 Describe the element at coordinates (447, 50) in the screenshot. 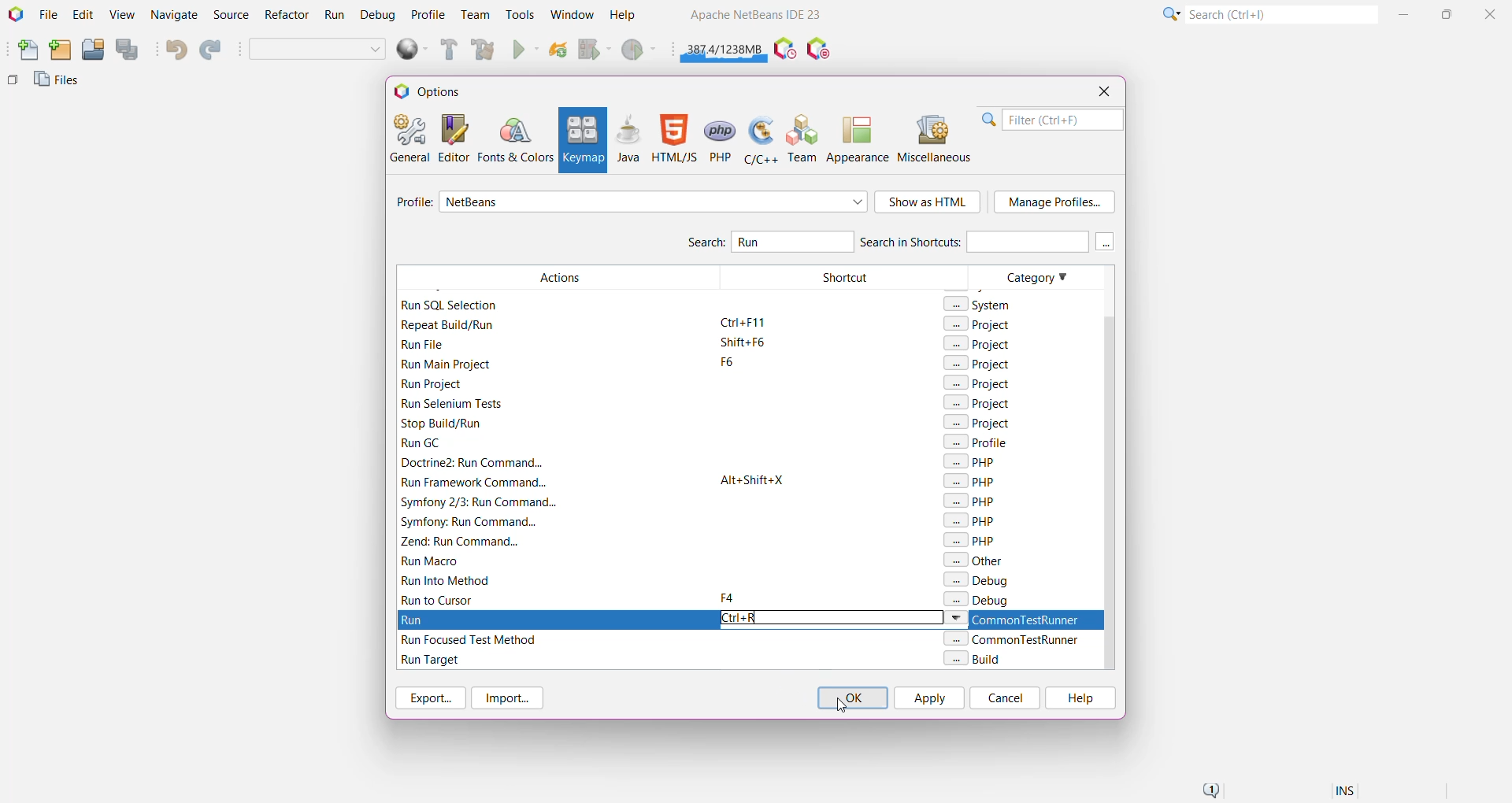

I see `Build Main Project` at that location.